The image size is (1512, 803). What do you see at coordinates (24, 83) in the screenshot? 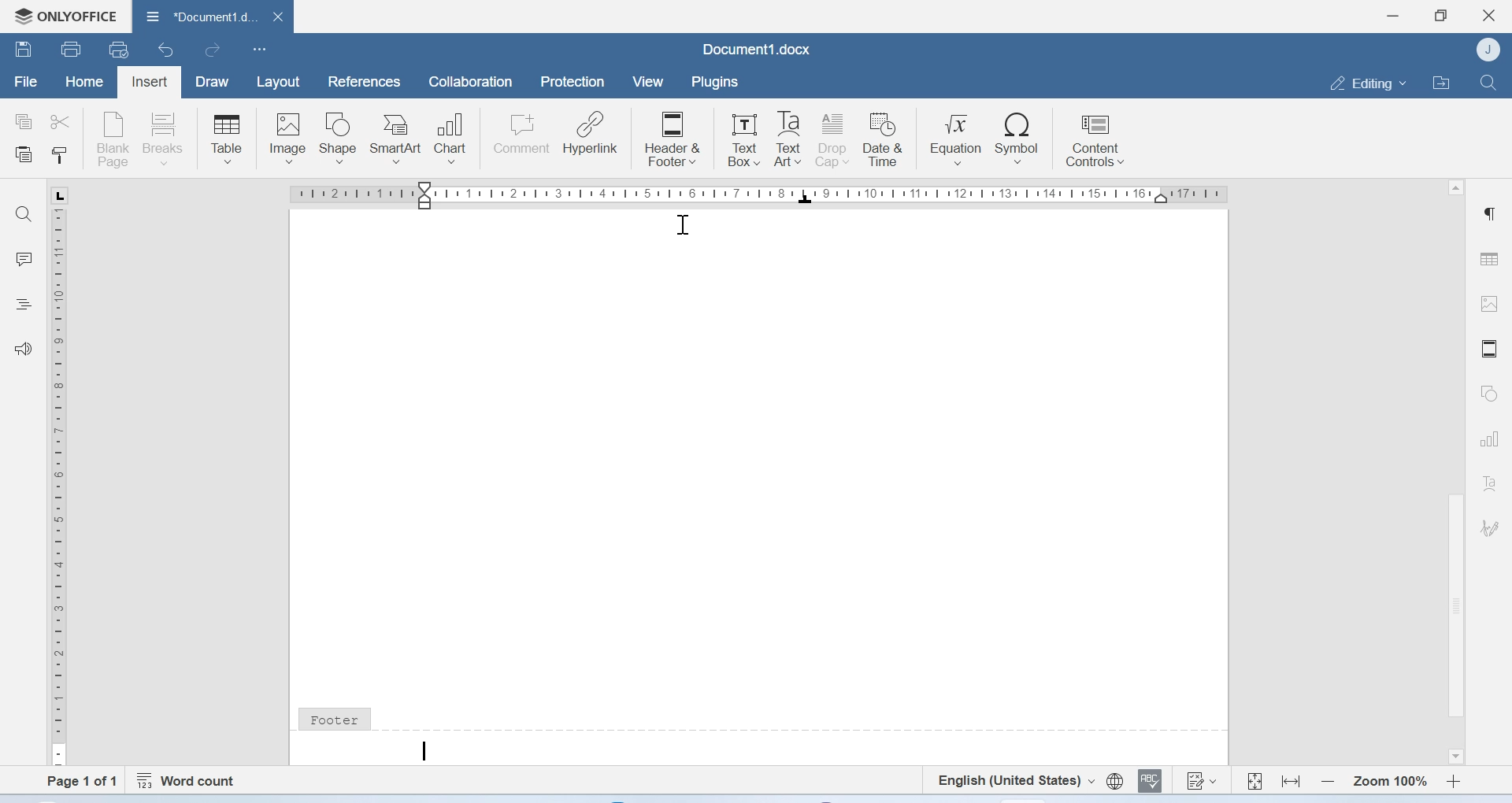
I see `File` at bounding box center [24, 83].